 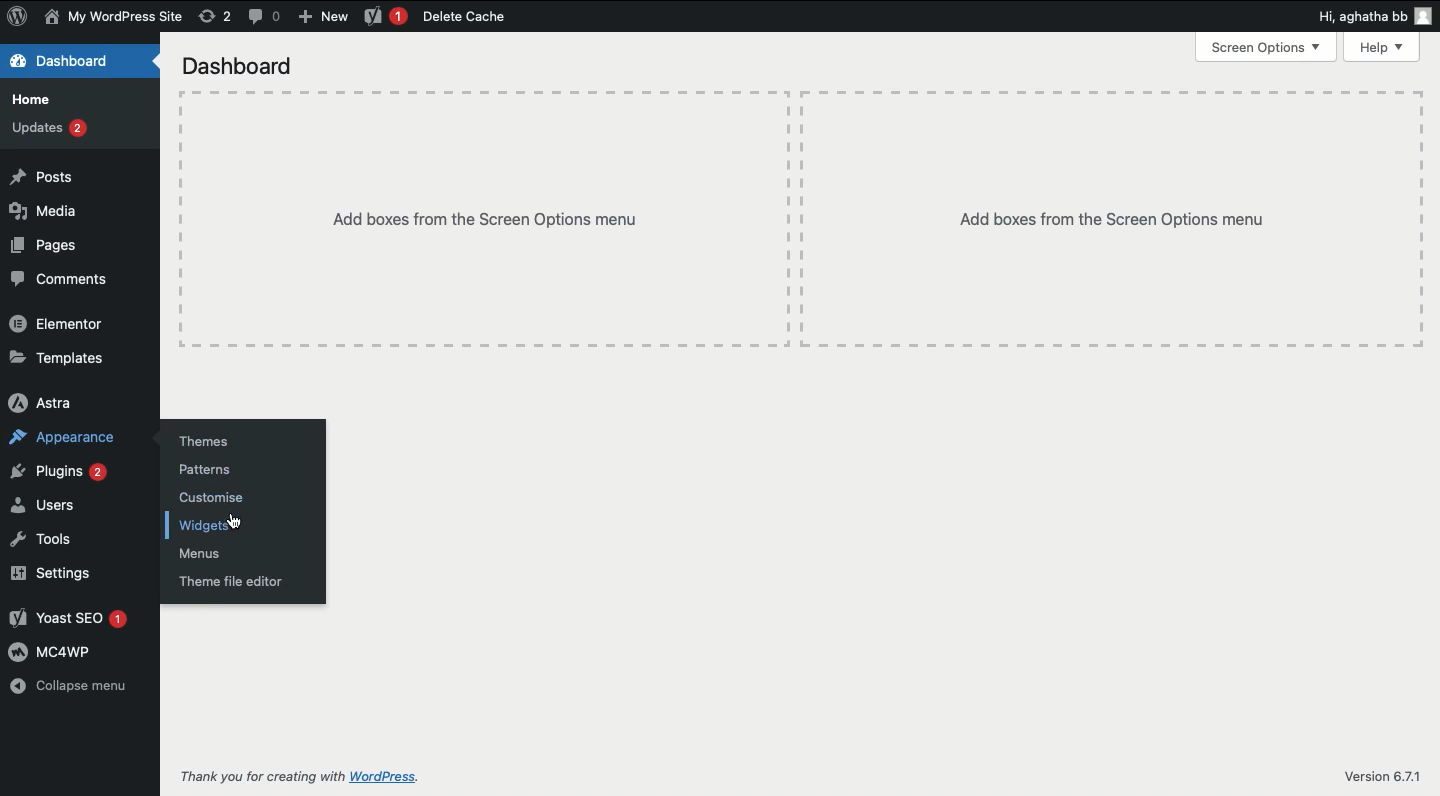 I want to click on Astra, so click(x=56, y=400).